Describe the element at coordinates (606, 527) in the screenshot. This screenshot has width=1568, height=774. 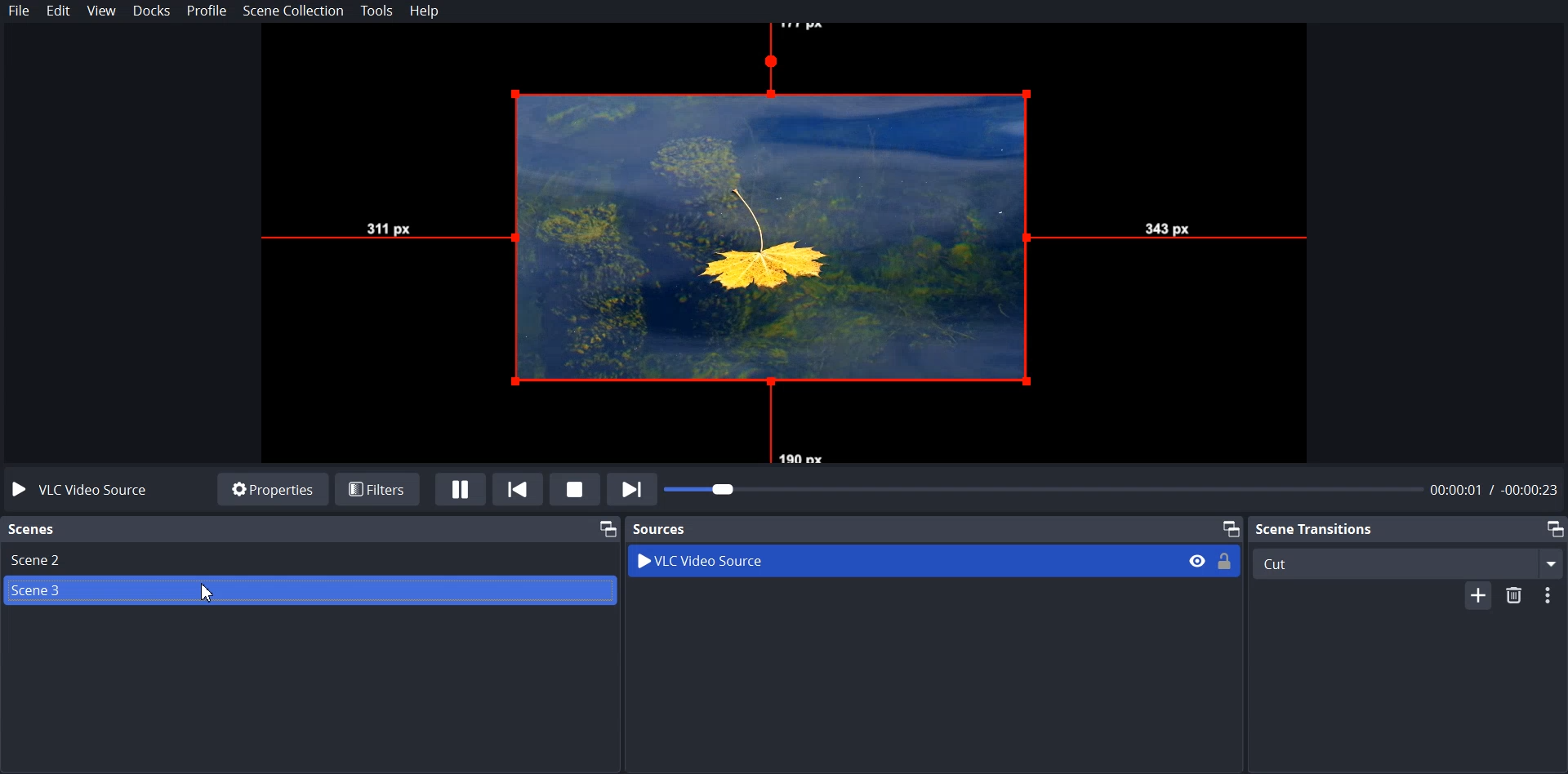
I see `Maximize window` at that location.